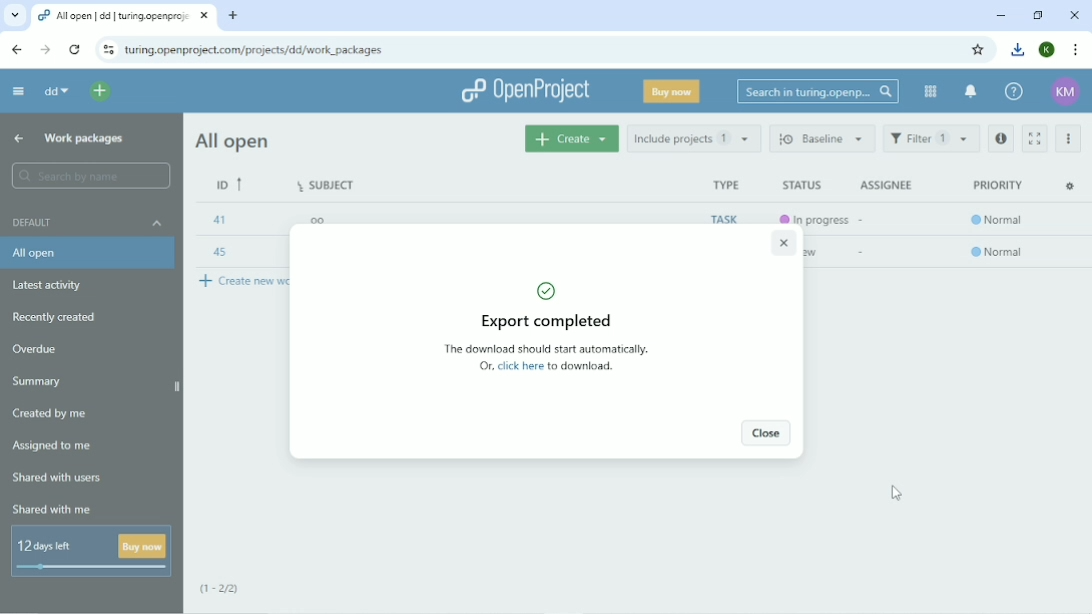 Image resolution: width=1092 pixels, height=614 pixels. What do you see at coordinates (1033, 138) in the screenshot?
I see `Activate zen mode` at bounding box center [1033, 138].